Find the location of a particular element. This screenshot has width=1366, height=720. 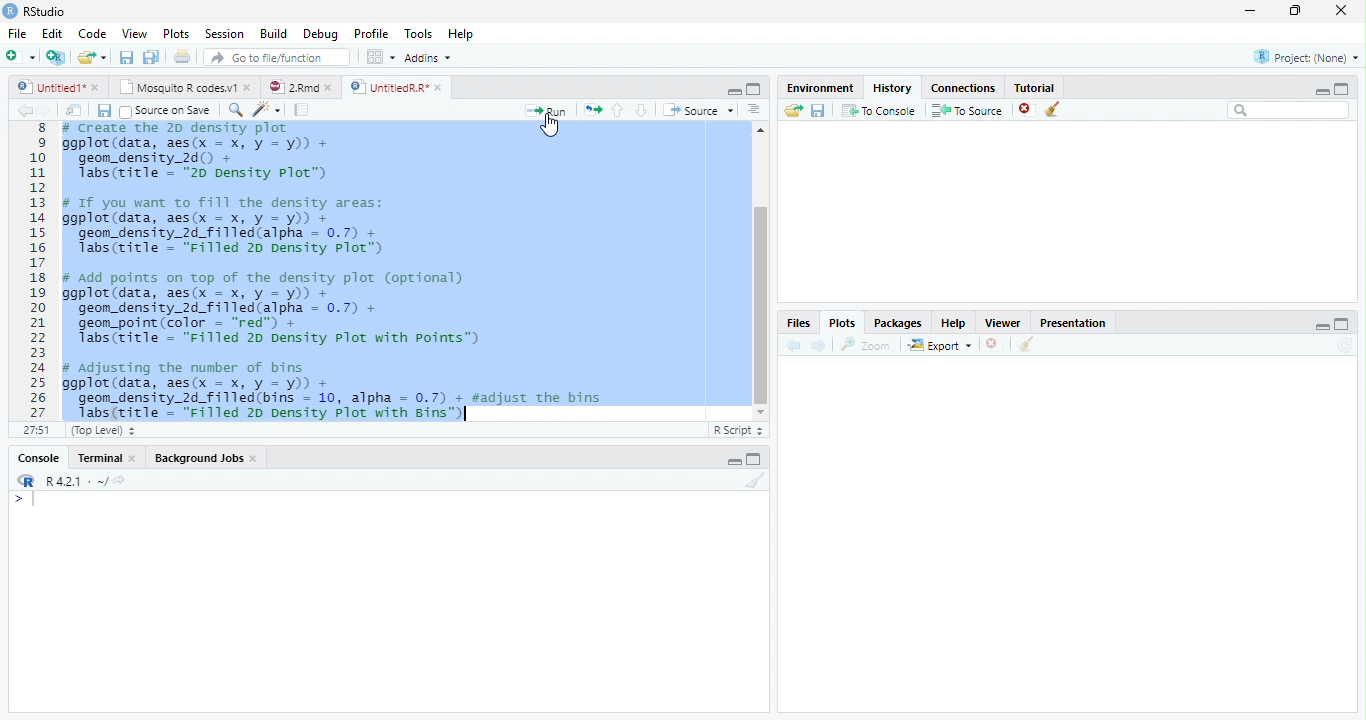

Debug is located at coordinates (321, 35).